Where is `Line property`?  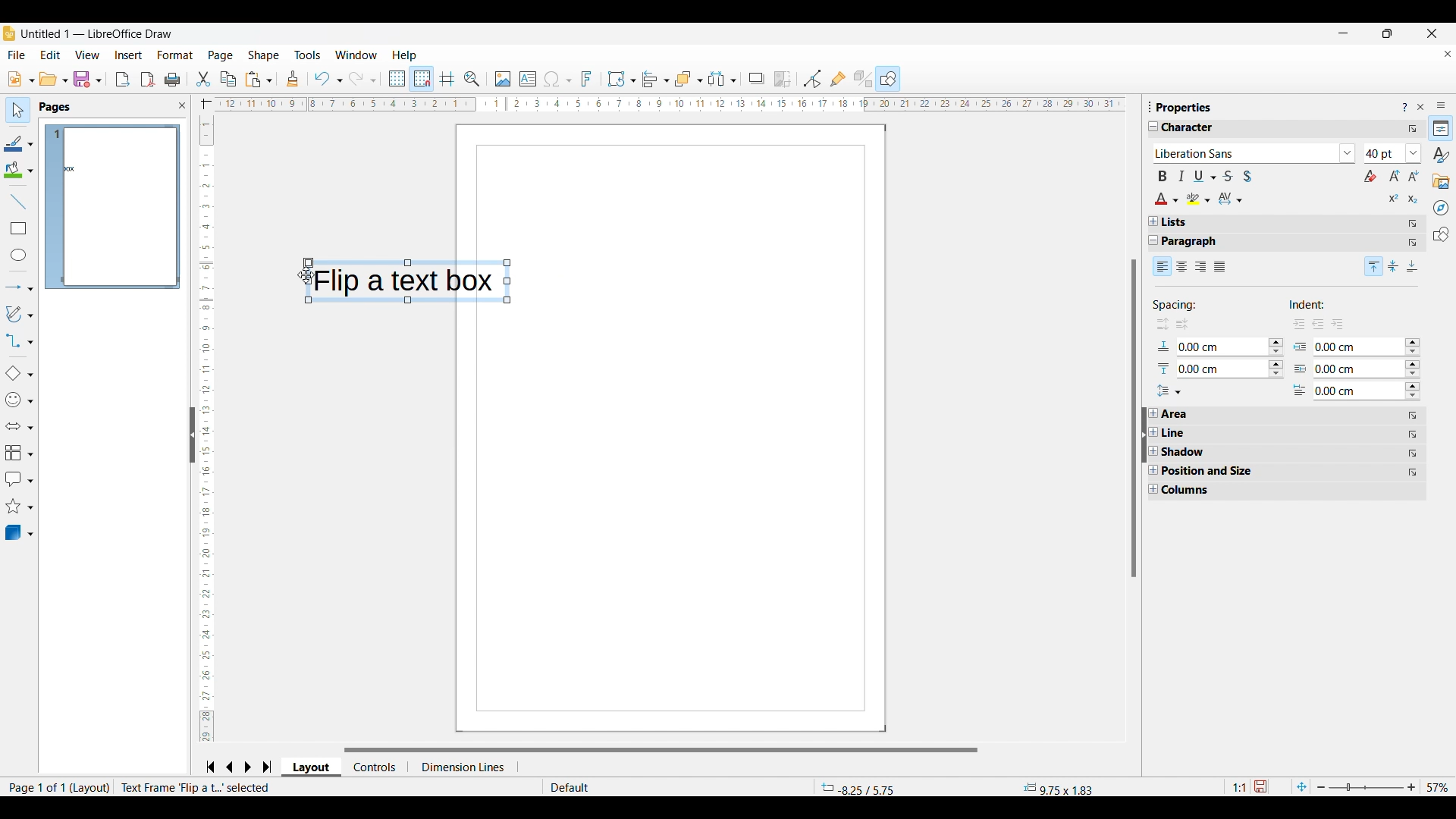 Line property is located at coordinates (1202, 433).